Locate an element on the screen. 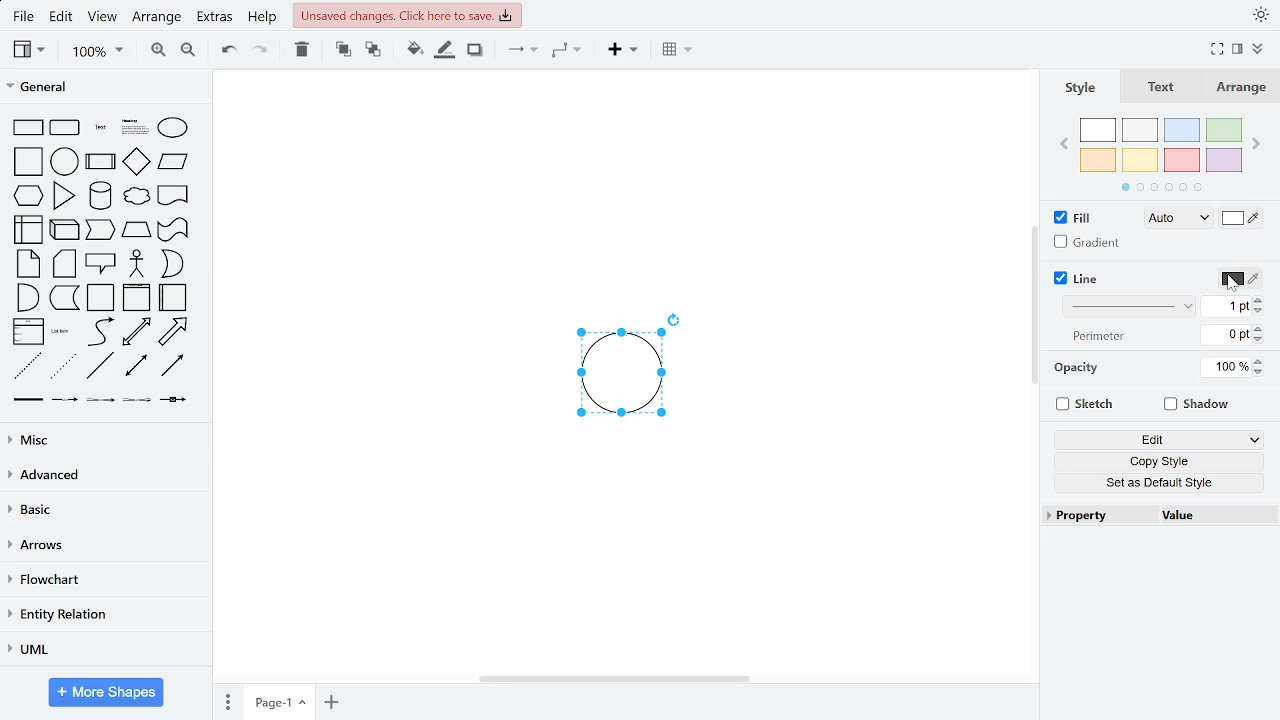 The width and height of the screenshot is (1280, 720). arrange is located at coordinates (156, 20).